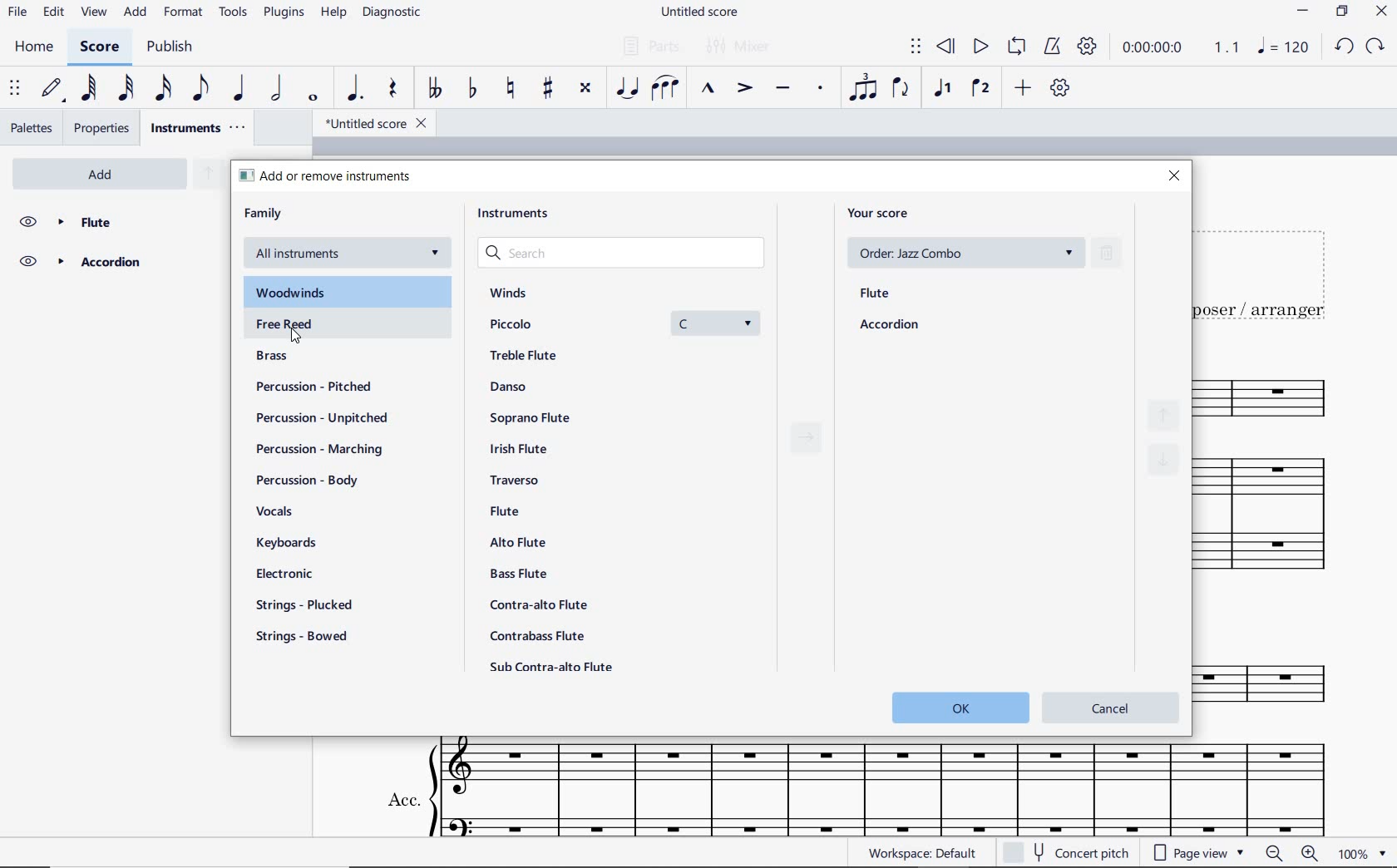 The image size is (1397, 868). Describe the element at coordinates (433, 89) in the screenshot. I see `toggle double-flat` at that location.